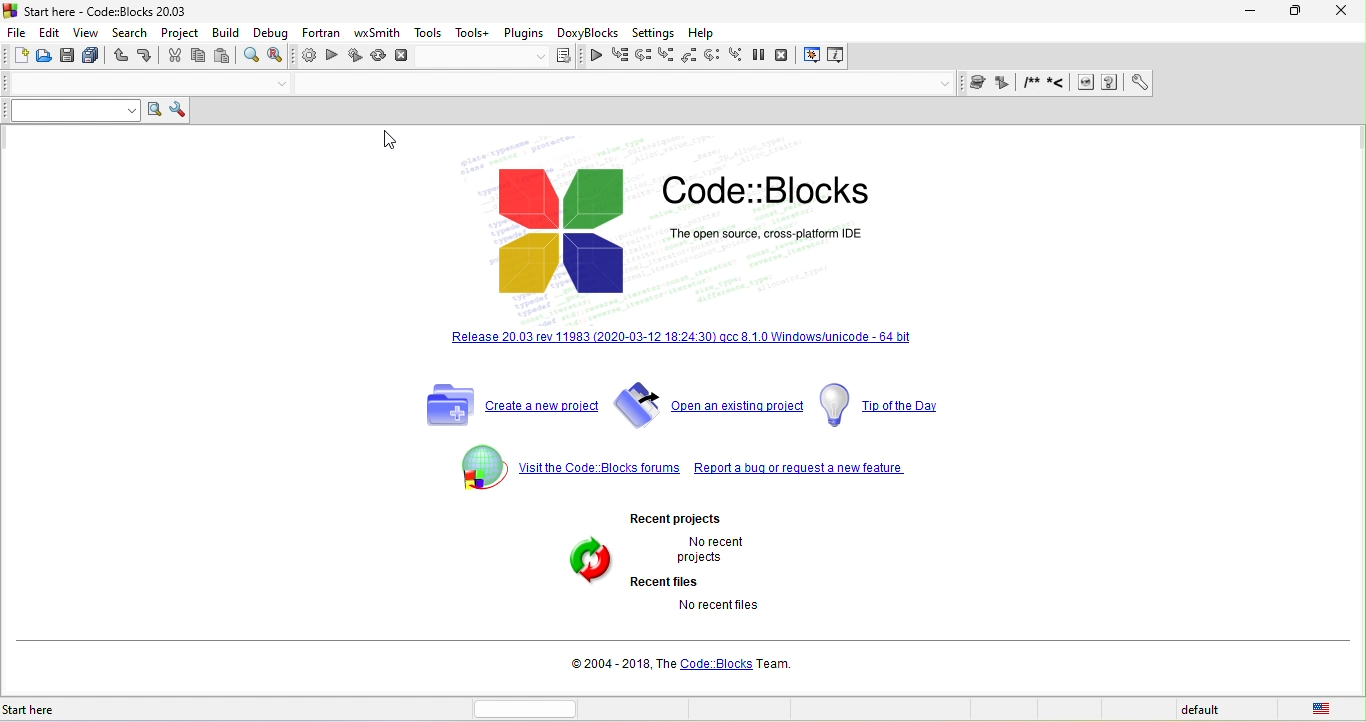  What do you see at coordinates (711, 56) in the screenshot?
I see `next instruction` at bounding box center [711, 56].